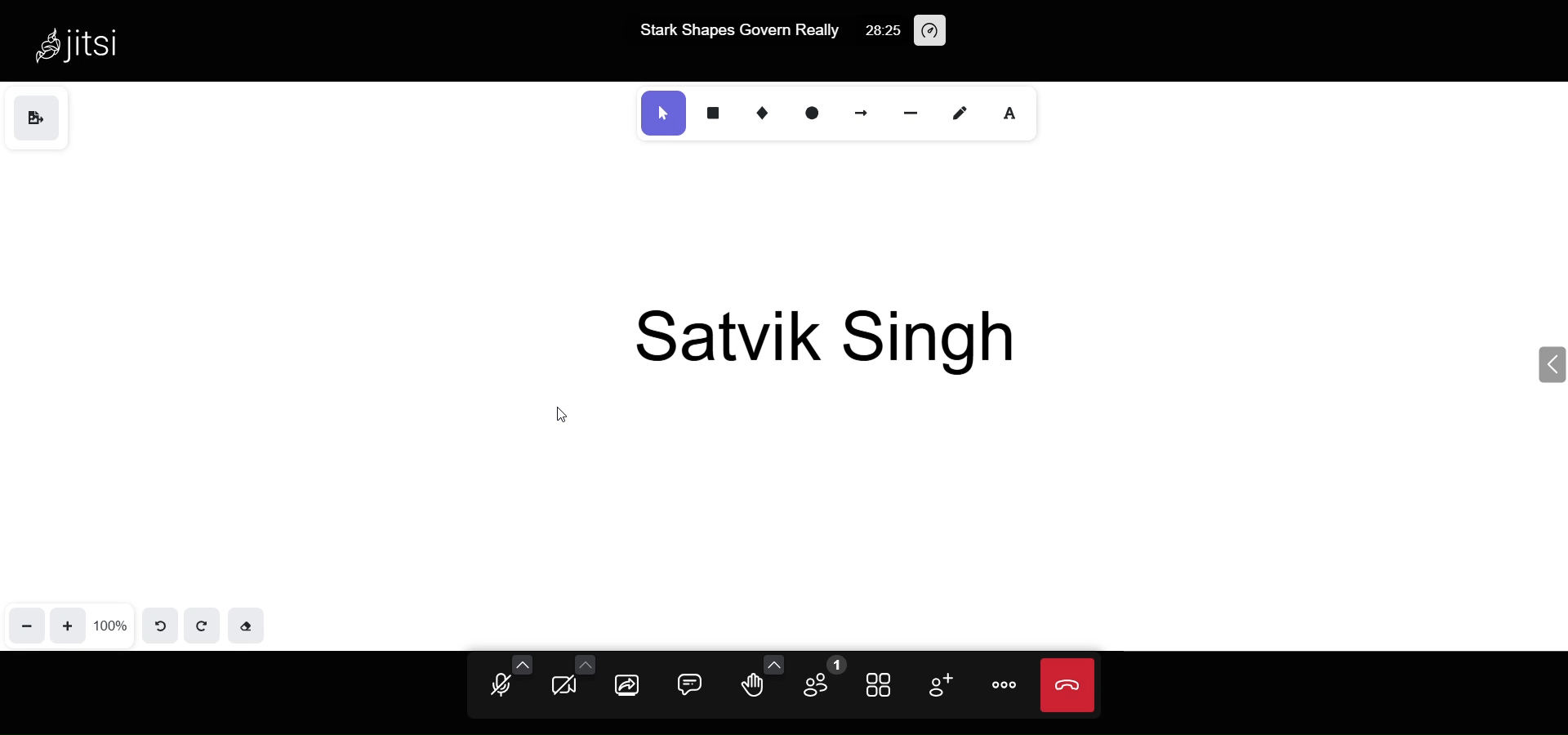 The width and height of the screenshot is (1568, 735). What do you see at coordinates (1067, 684) in the screenshot?
I see `leave meeting` at bounding box center [1067, 684].